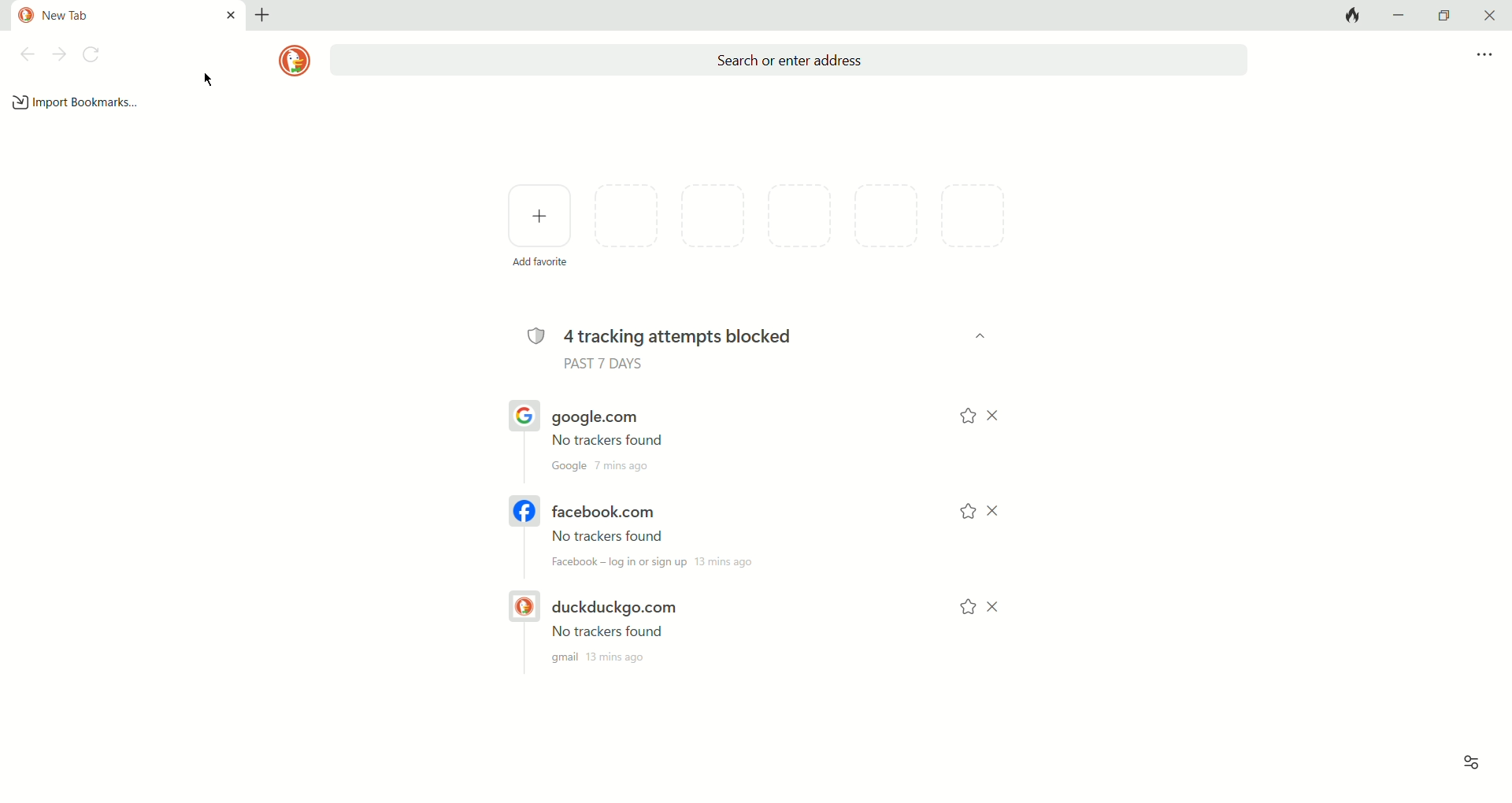 The height and width of the screenshot is (803, 1512). Describe the element at coordinates (993, 416) in the screenshot. I see `CLOSE` at that location.